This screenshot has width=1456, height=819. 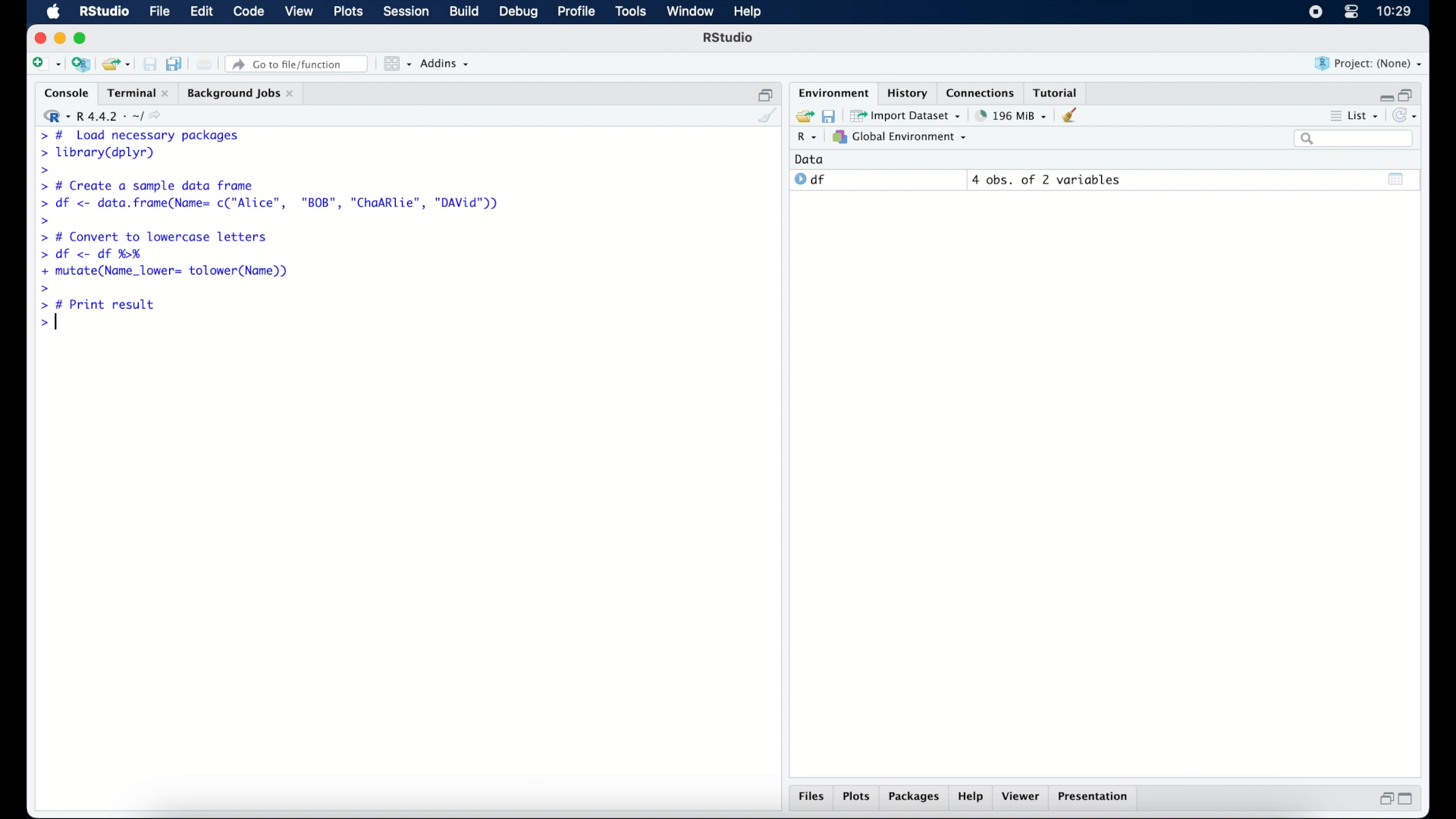 I want to click on addins, so click(x=445, y=64).